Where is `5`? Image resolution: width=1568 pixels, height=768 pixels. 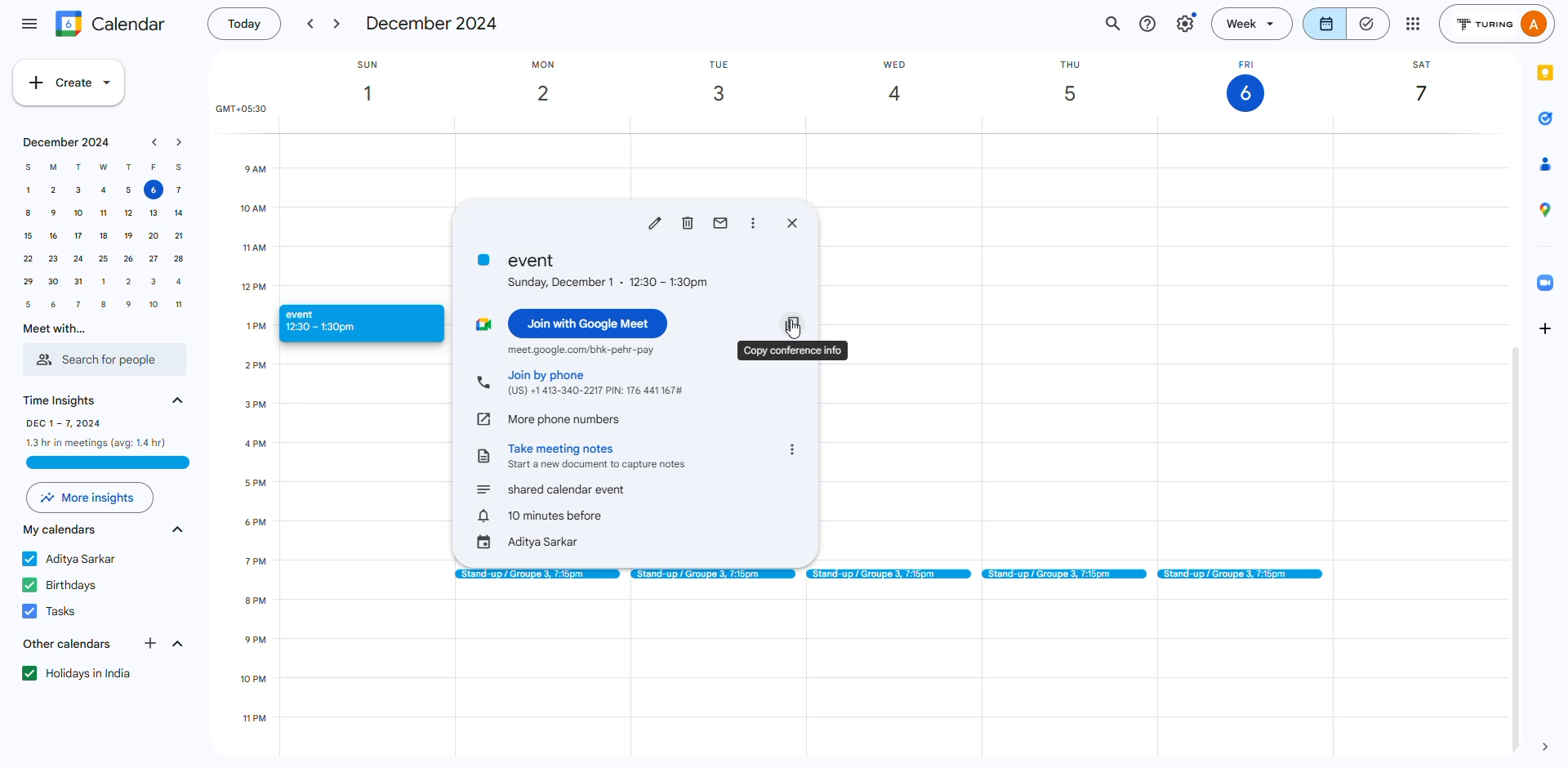 5 is located at coordinates (28, 303).